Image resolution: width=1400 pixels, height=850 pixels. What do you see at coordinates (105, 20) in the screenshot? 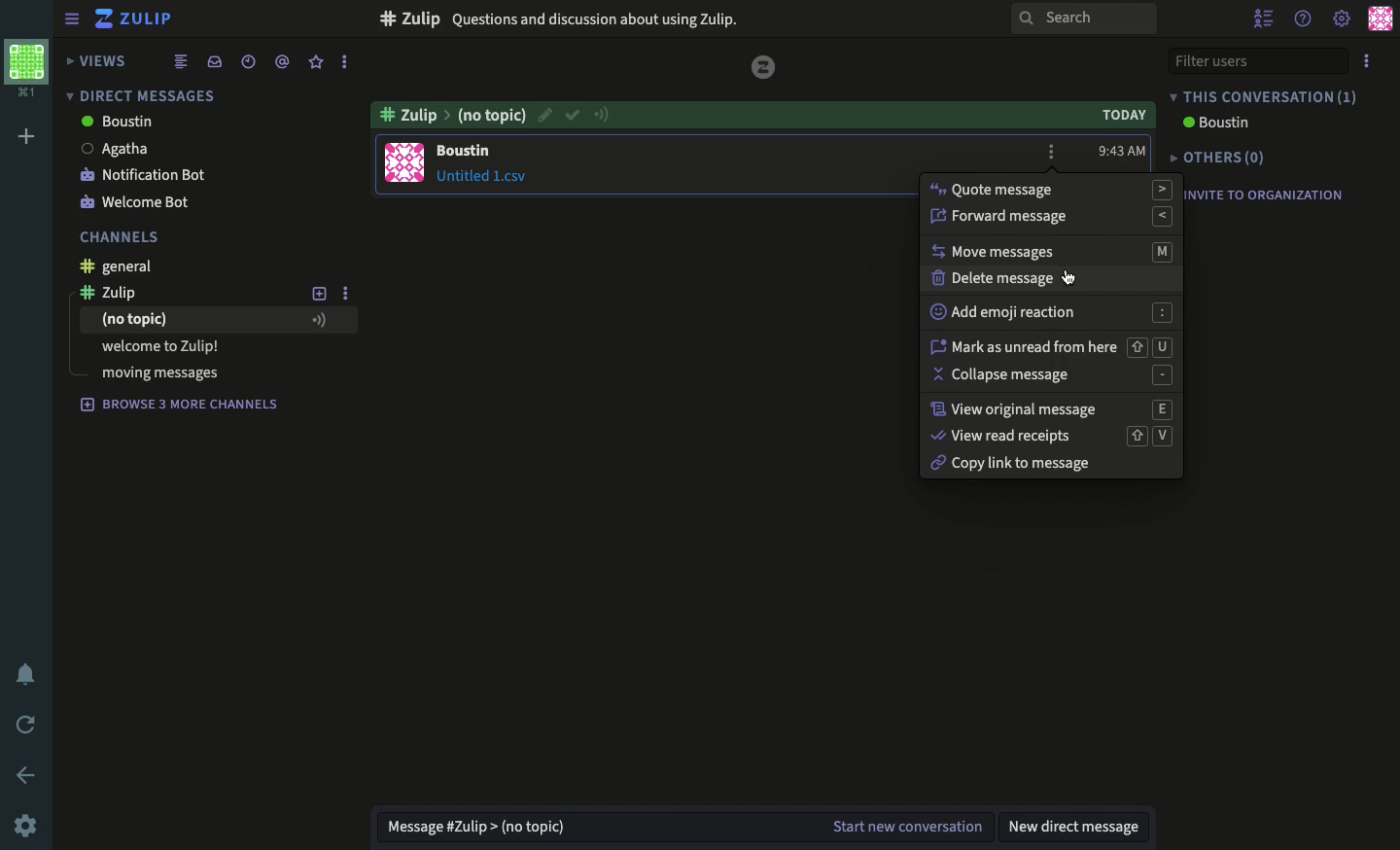
I see `zulip logo` at bounding box center [105, 20].